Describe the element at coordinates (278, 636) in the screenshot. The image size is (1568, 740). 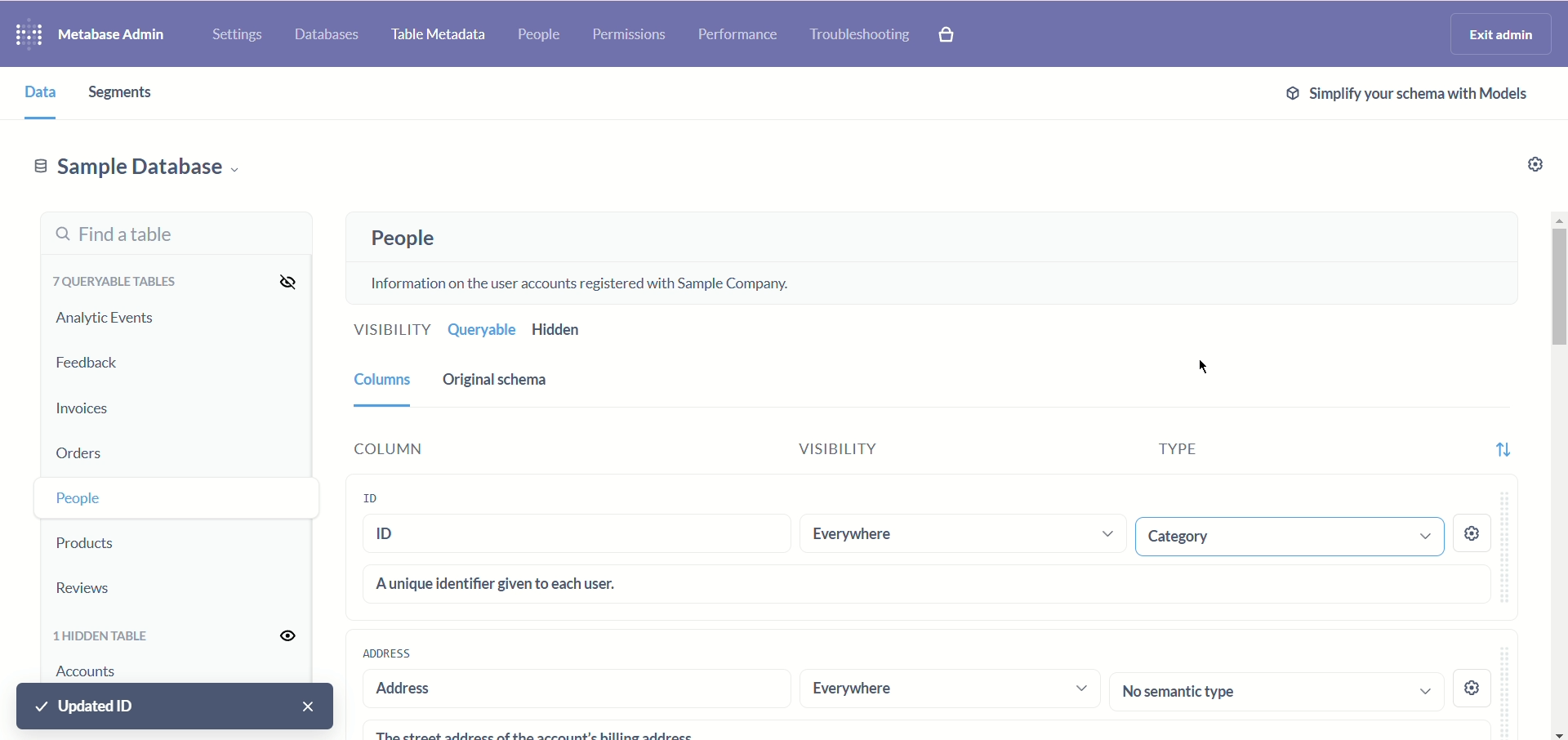
I see `Unhide` at that location.